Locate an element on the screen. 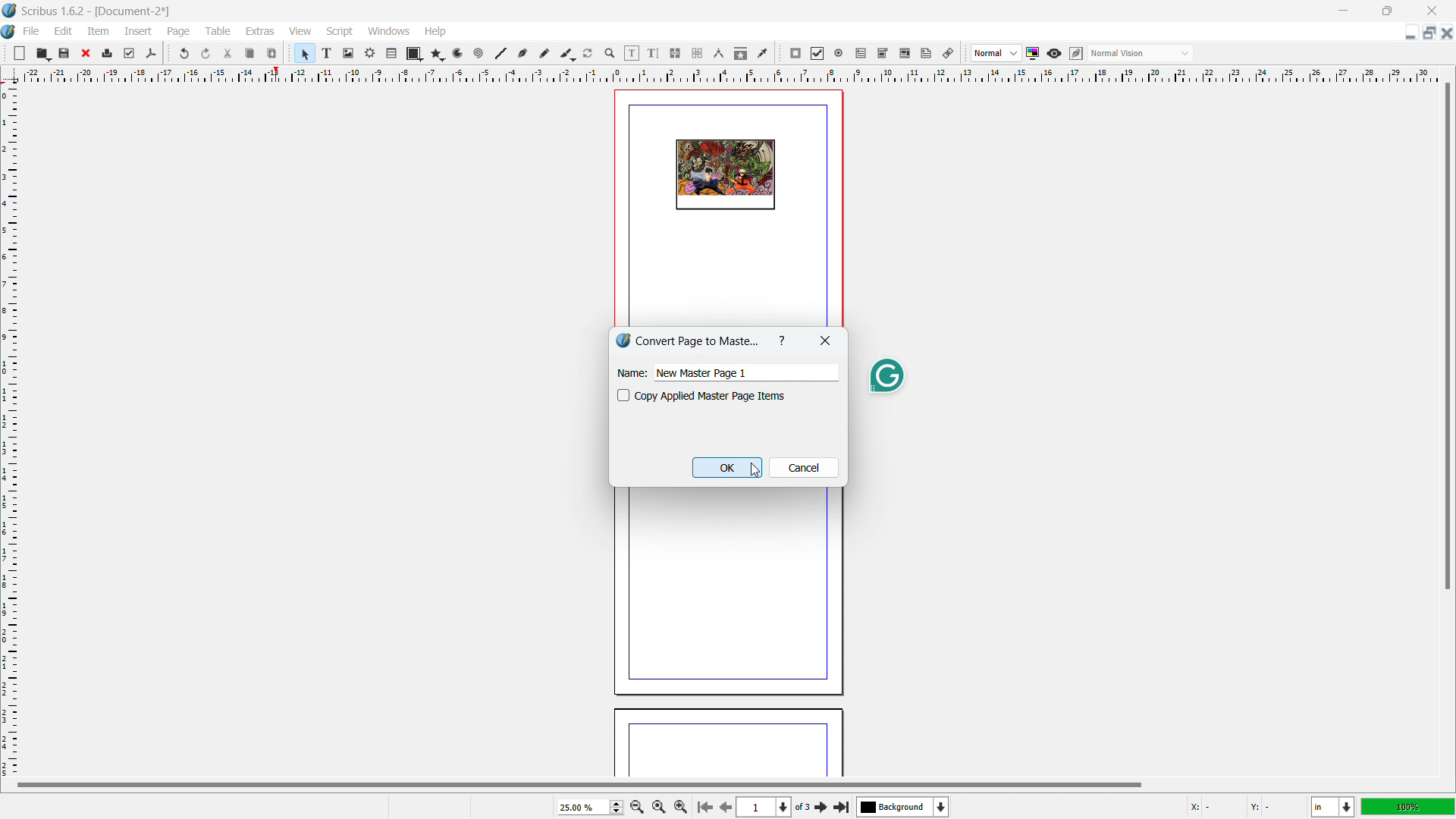  zoom in/out is located at coordinates (610, 54).